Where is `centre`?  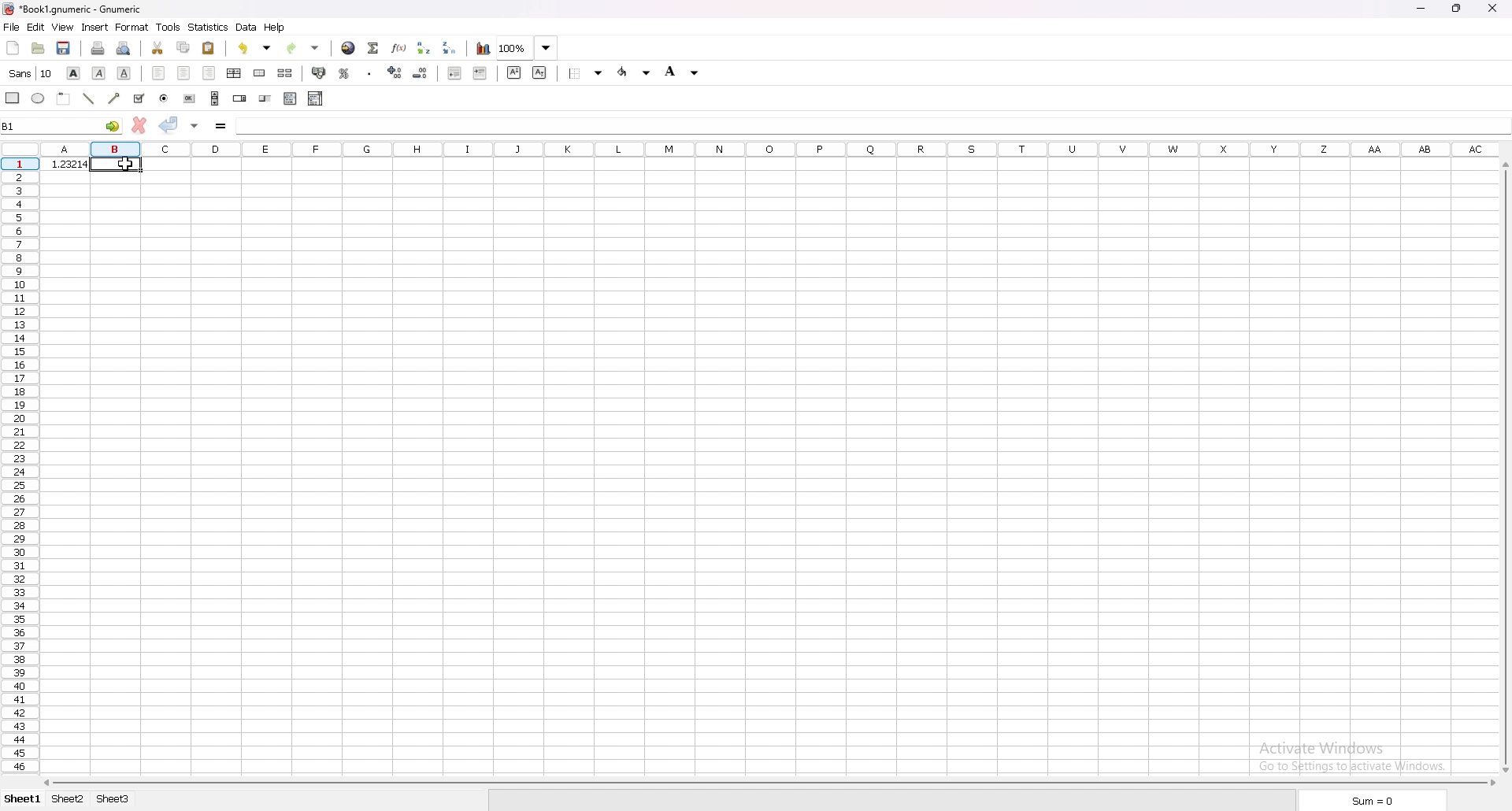
centre is located at coordinates (183, 72).